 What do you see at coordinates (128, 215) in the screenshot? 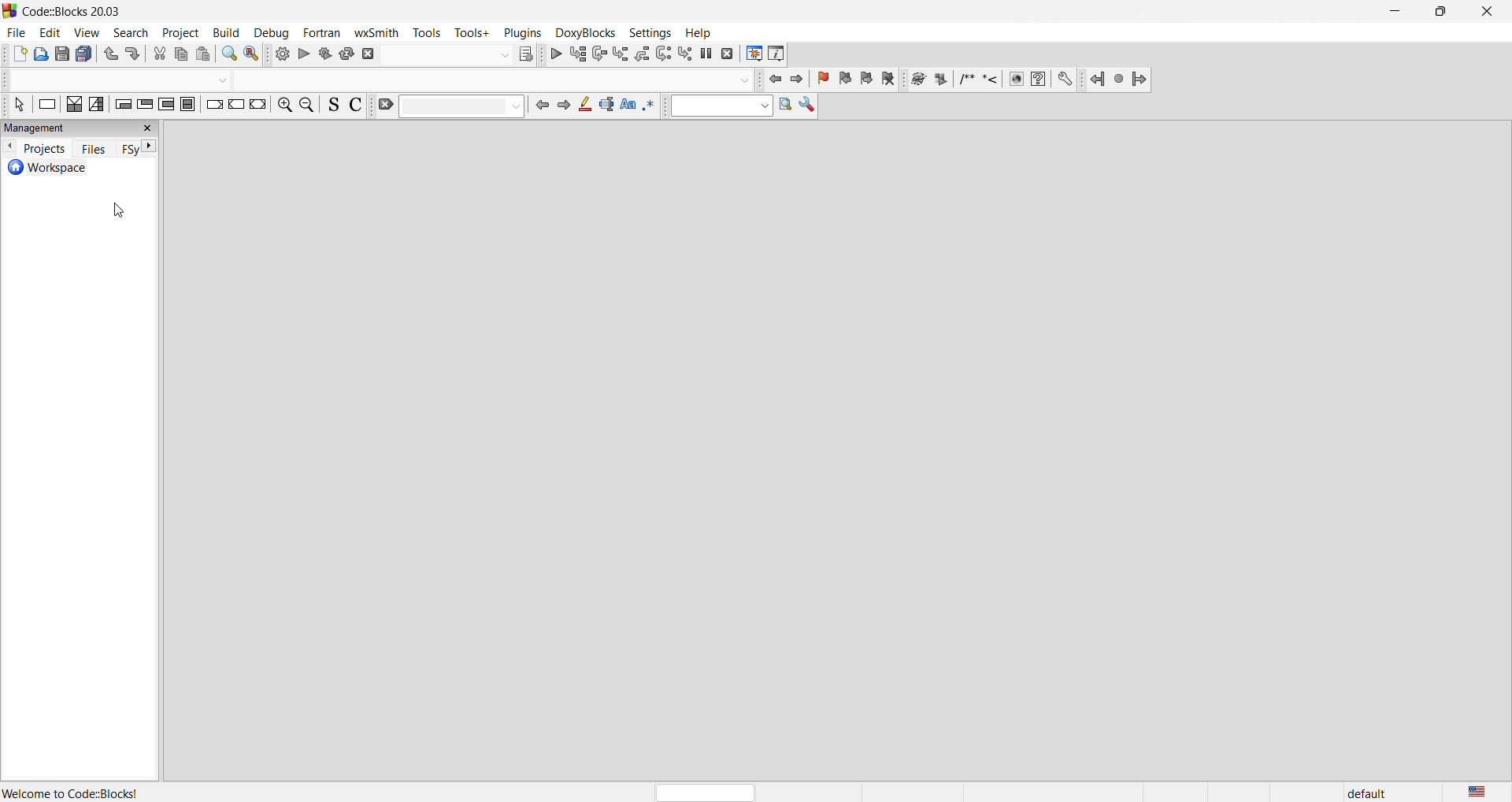
I see `cursor` at bounding box center [128, 215].